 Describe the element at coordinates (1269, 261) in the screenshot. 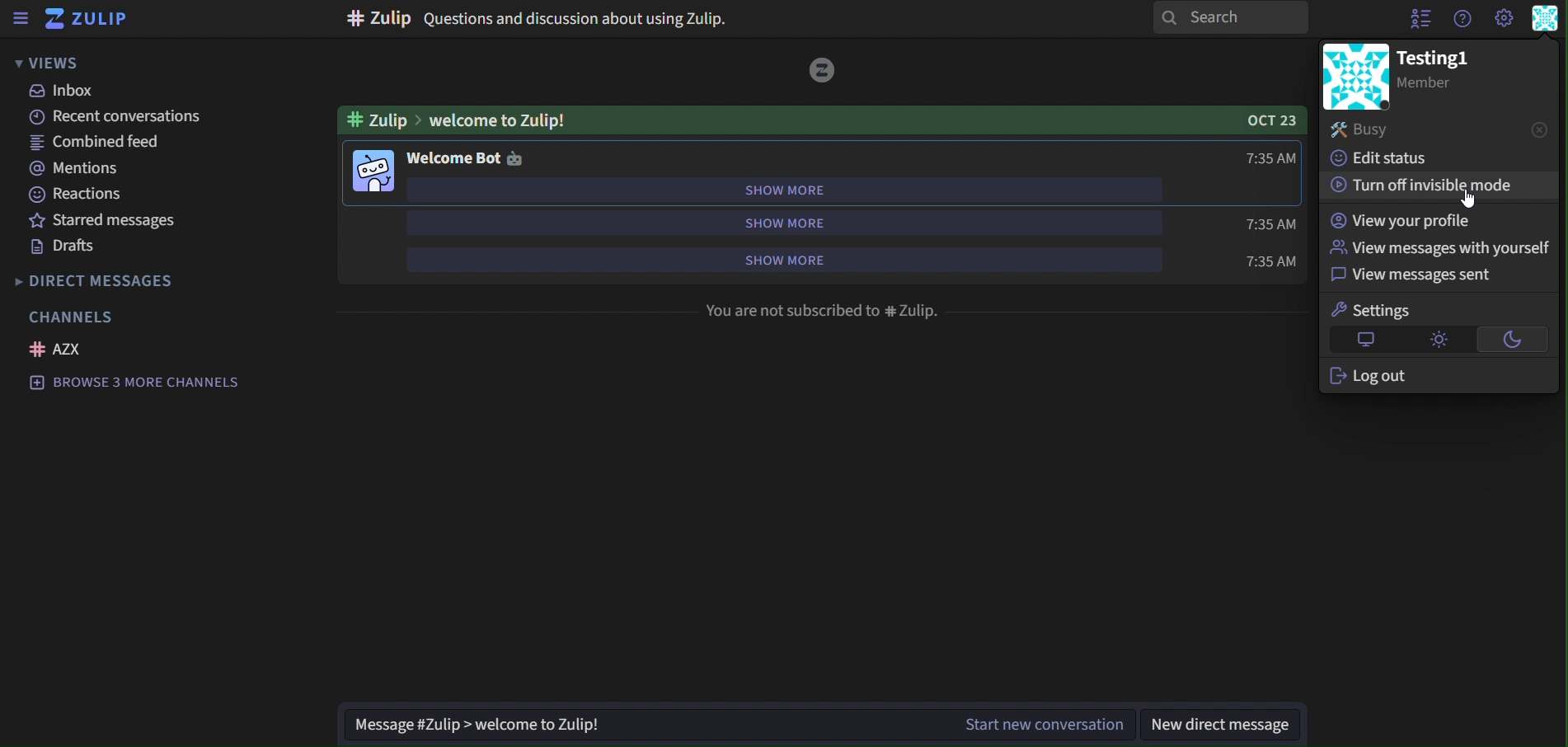

I see `time` at that location.